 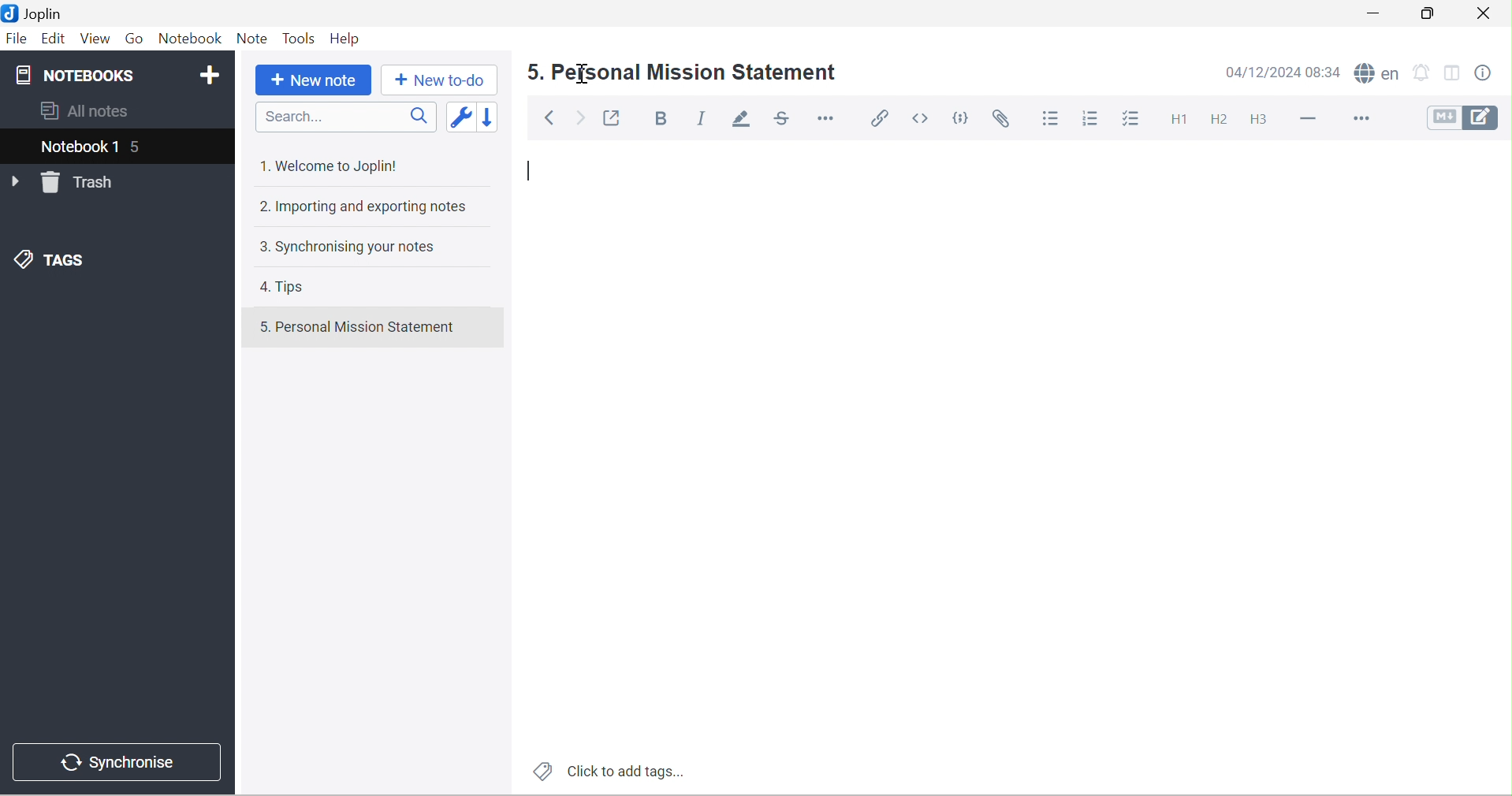 I want to click on Click to add tags, so click(x=608, y=772).